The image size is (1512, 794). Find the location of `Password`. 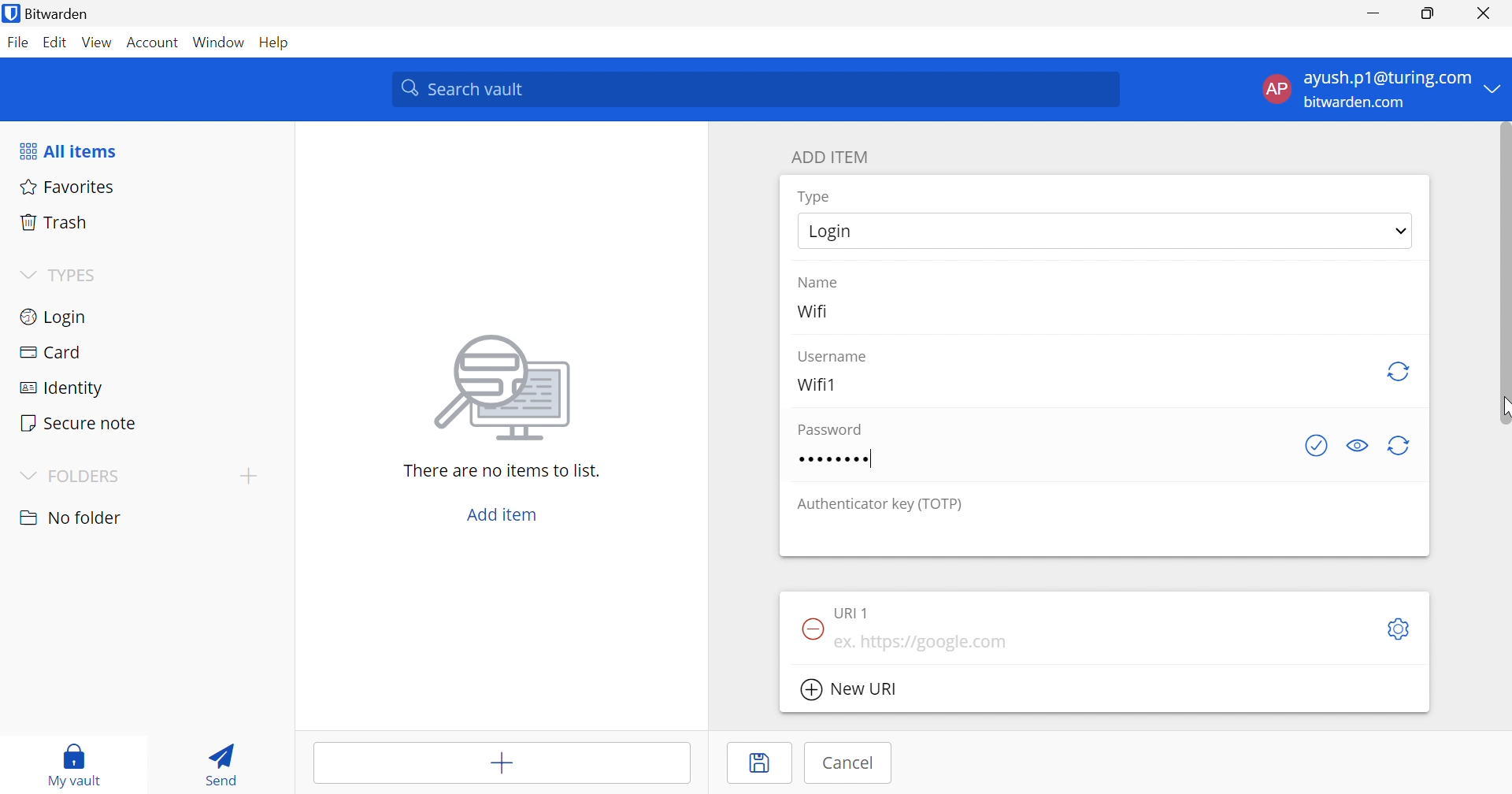

Password is located at coordinates (838, 457).